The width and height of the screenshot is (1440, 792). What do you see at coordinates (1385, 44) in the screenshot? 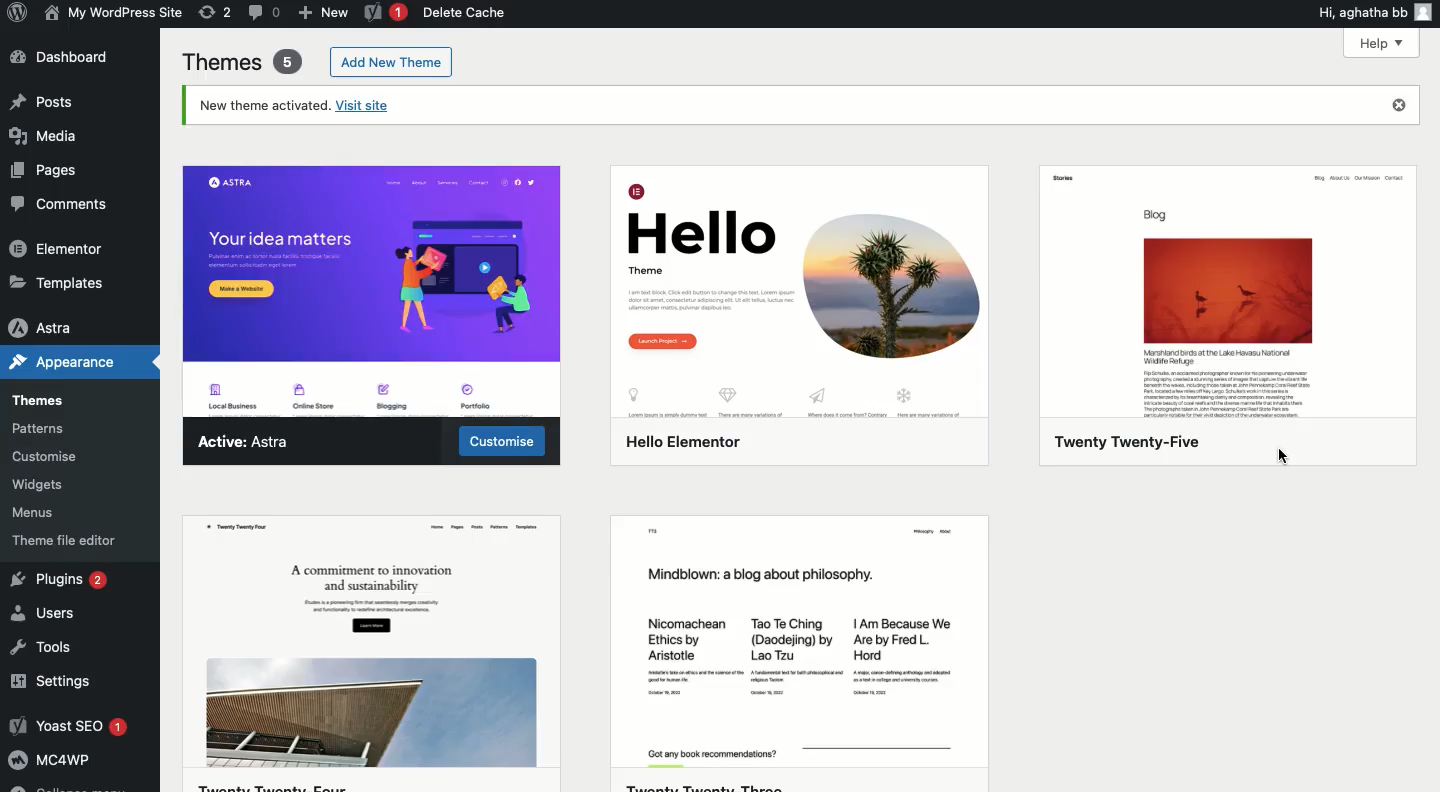
I see `Help` at bounding box center [1385, 44].